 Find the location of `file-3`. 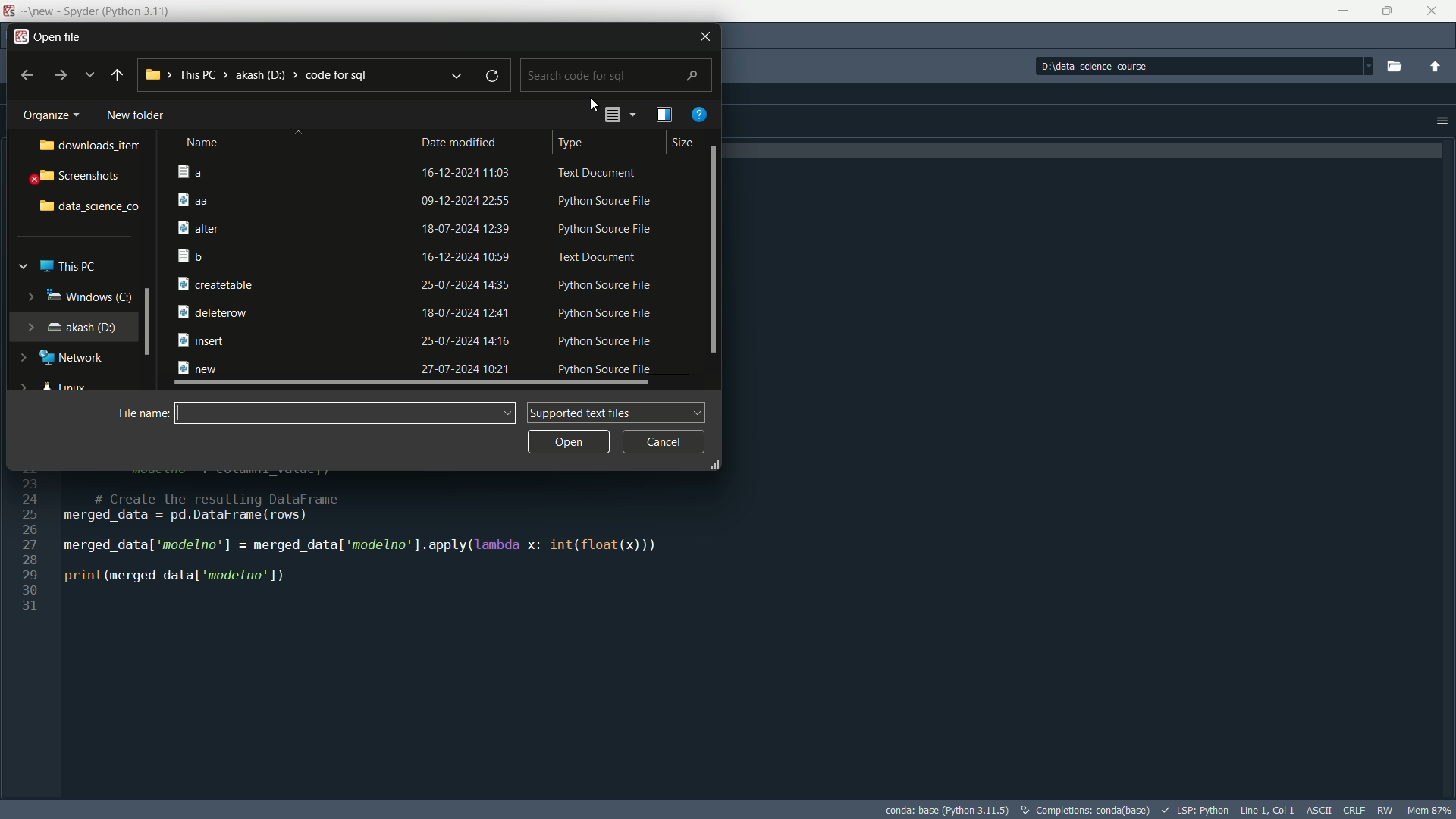

file-3 is located at coordinates (418, 230).